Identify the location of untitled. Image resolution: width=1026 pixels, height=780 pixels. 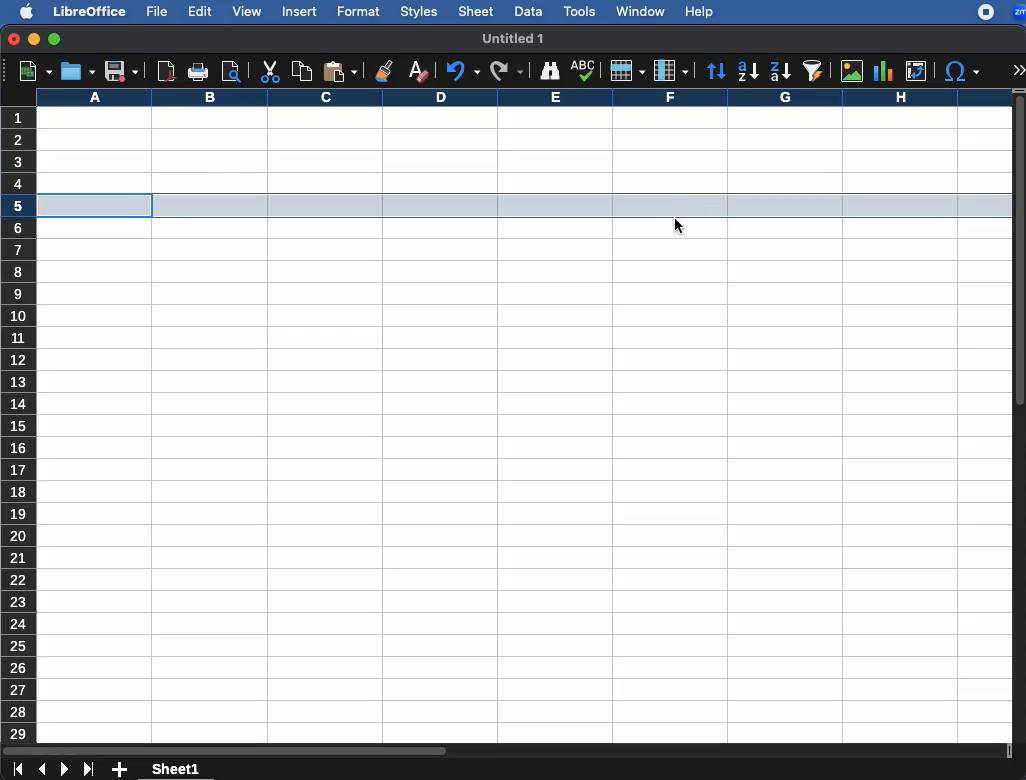
(514, 37).